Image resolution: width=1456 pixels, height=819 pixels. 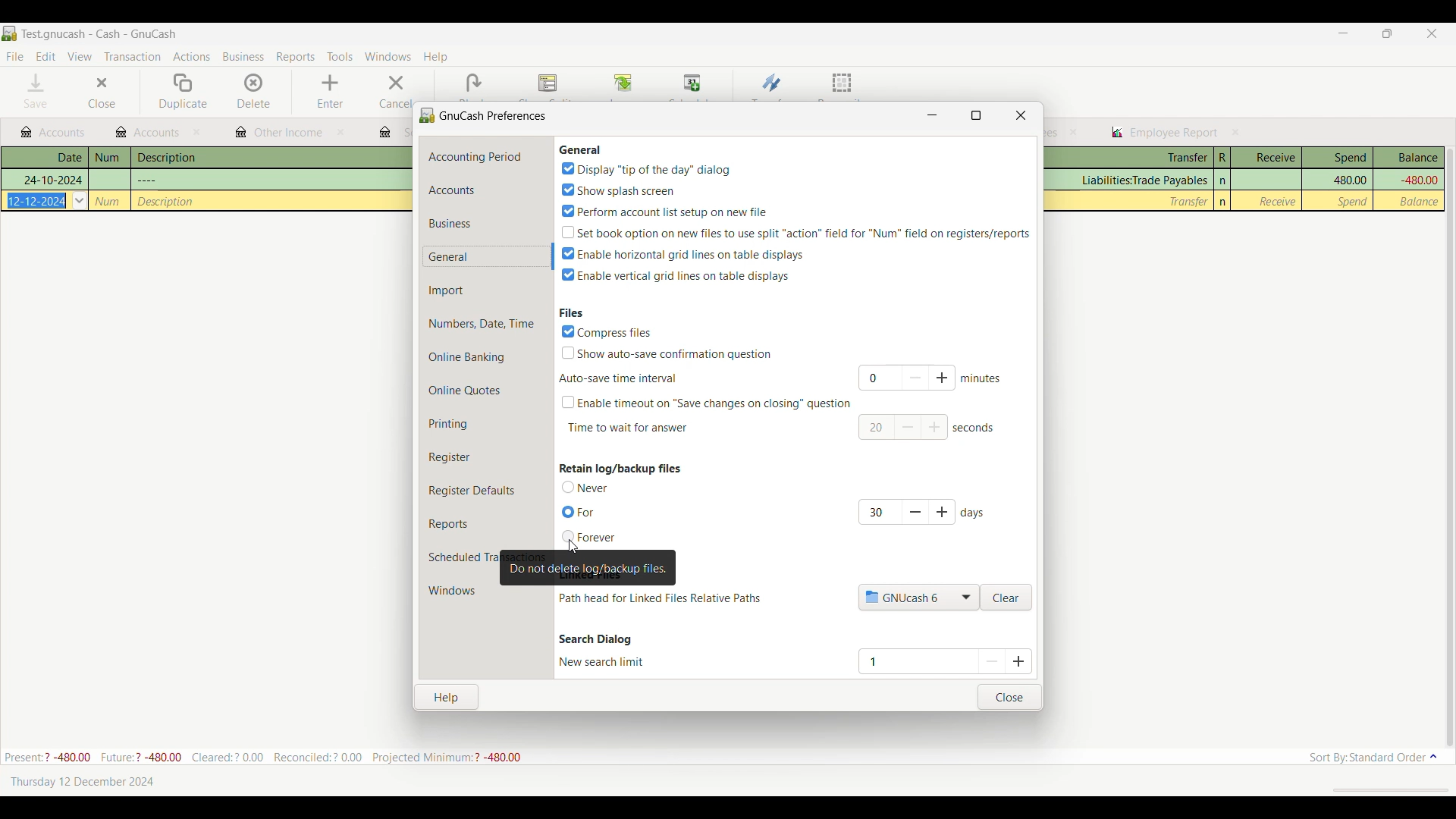 I want to click on add, so click(x=945, y=512).